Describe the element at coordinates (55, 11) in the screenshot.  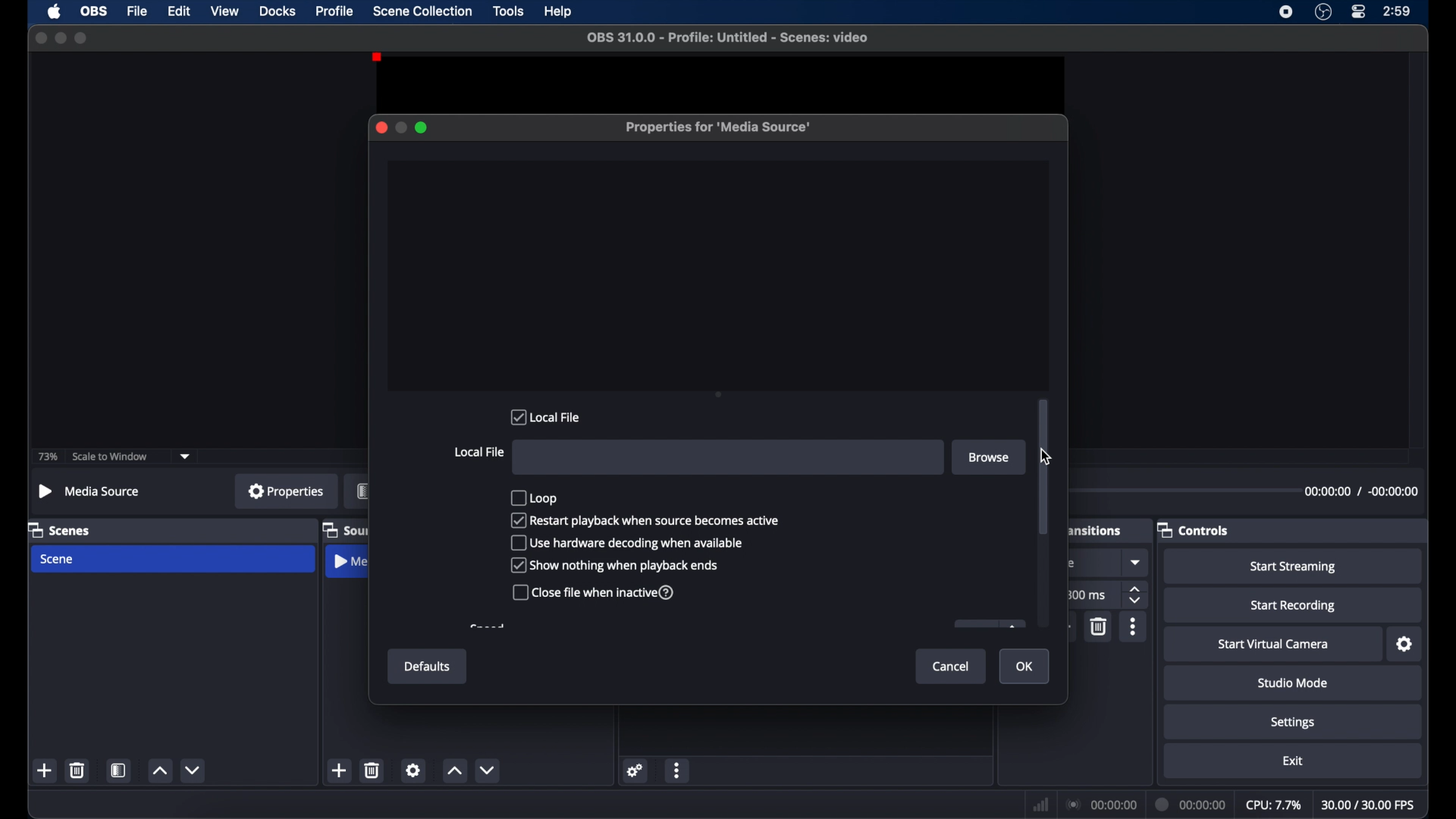
I see `apple icon` at that location.